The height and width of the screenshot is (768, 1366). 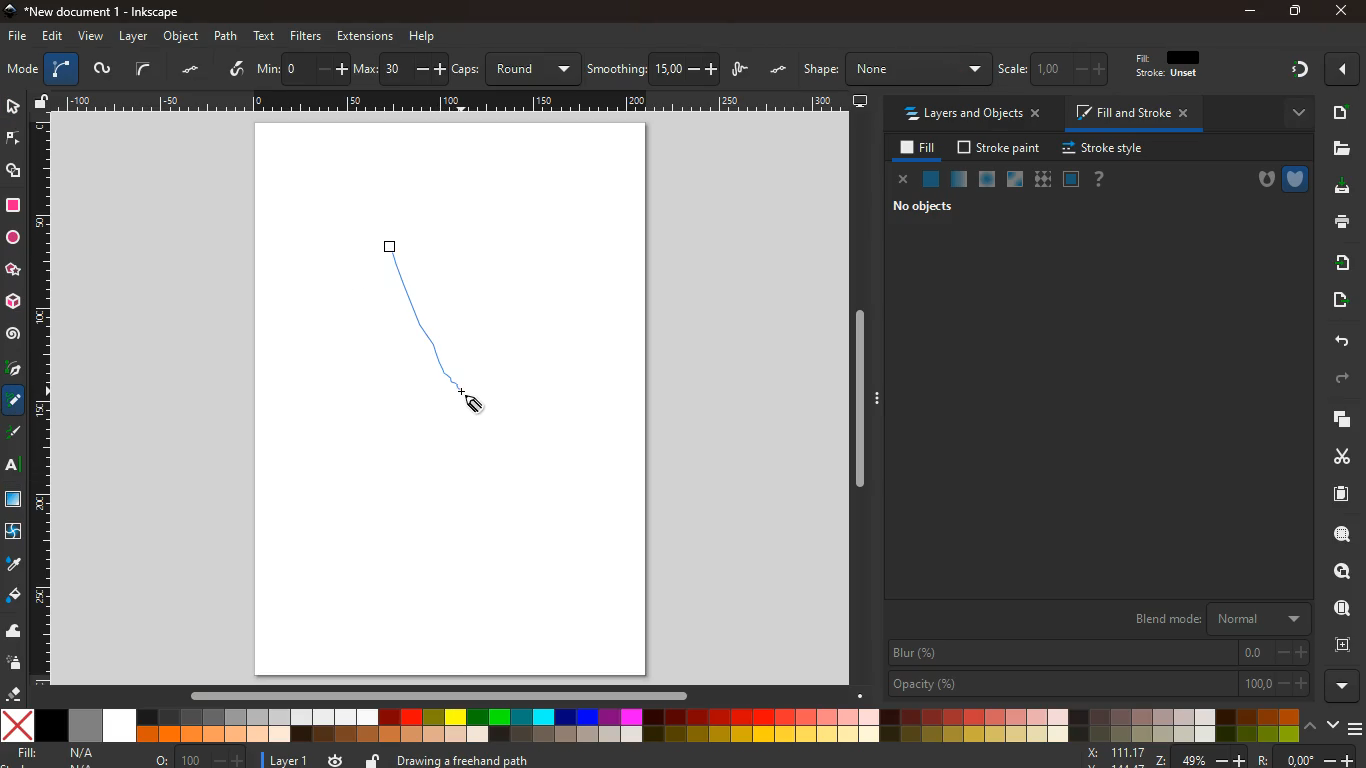 What do you see at coordinates (654, 69) in the screenshot?
I see `smoothing` at bounding box center [654, 69].